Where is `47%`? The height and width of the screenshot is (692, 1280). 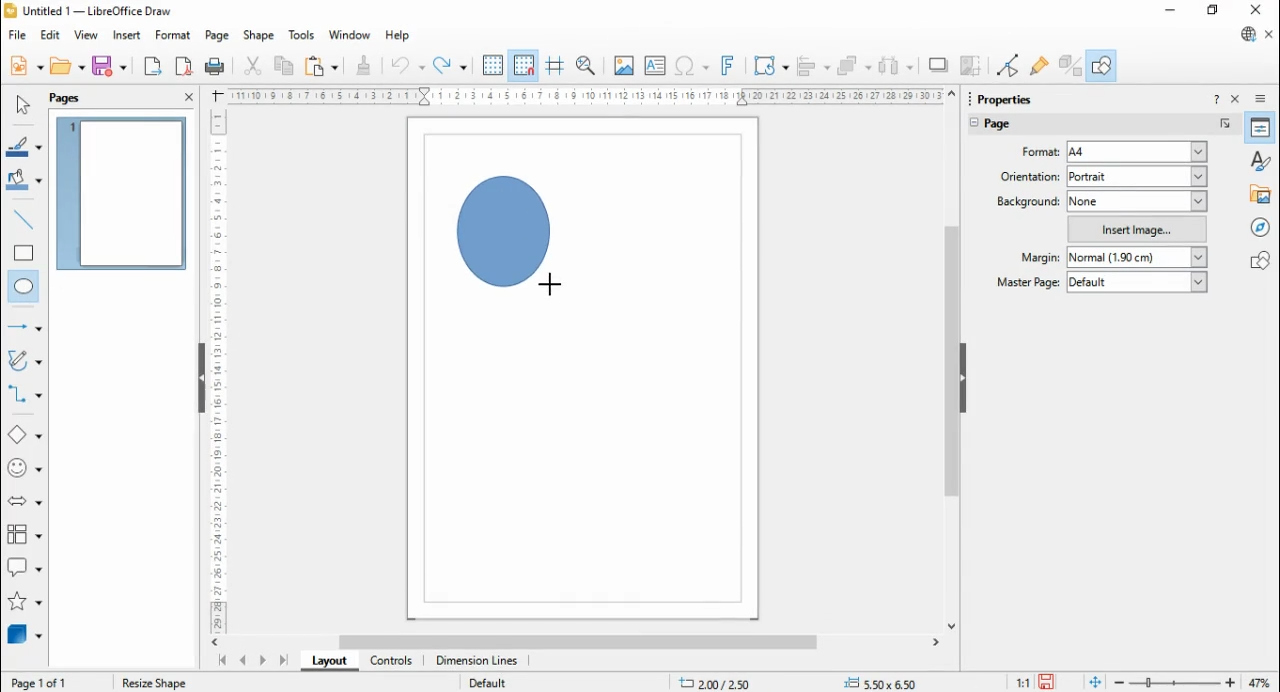
47% is located at coordinates (1262, 682).